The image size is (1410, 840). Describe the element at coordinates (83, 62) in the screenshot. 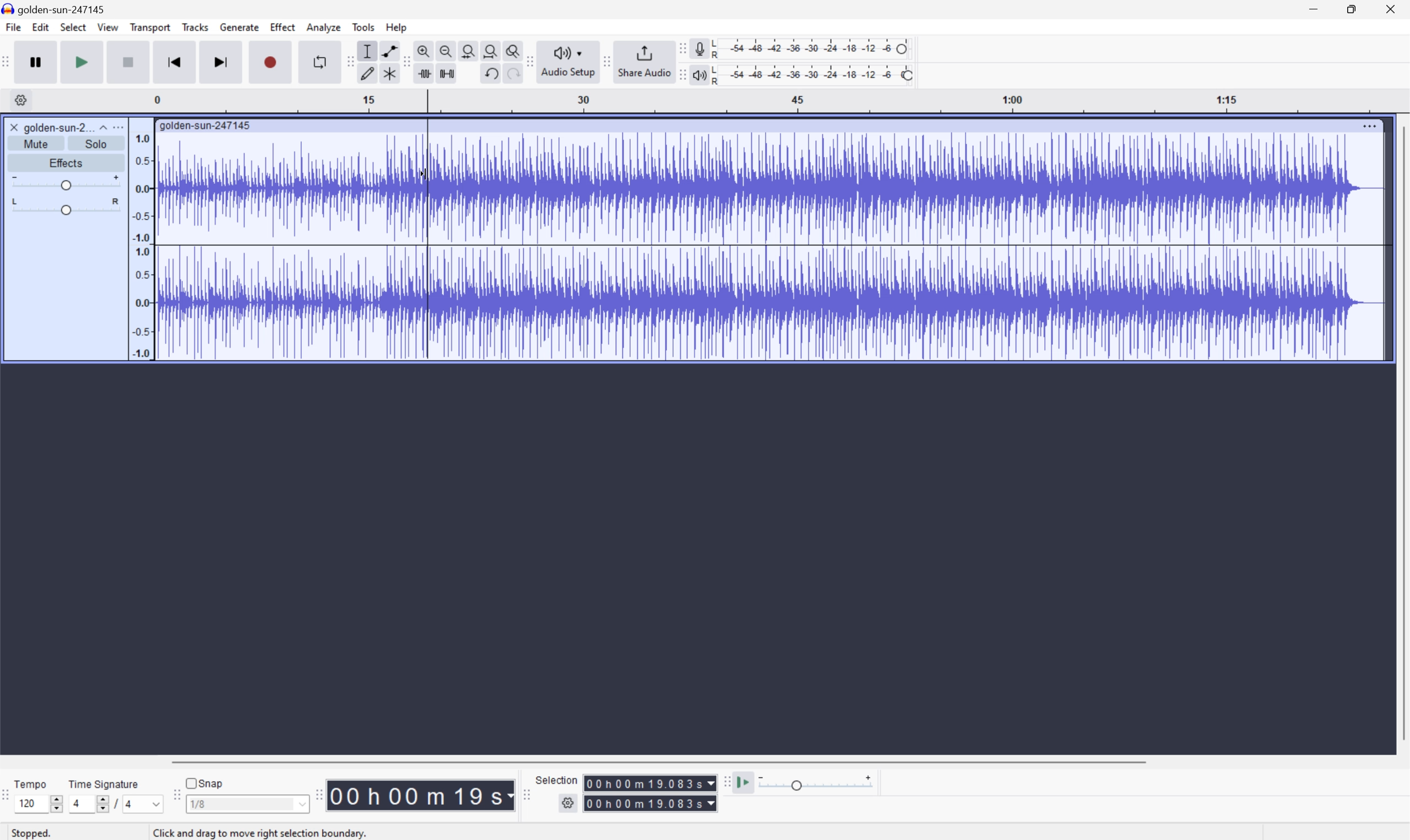

I see `Play` at that location.